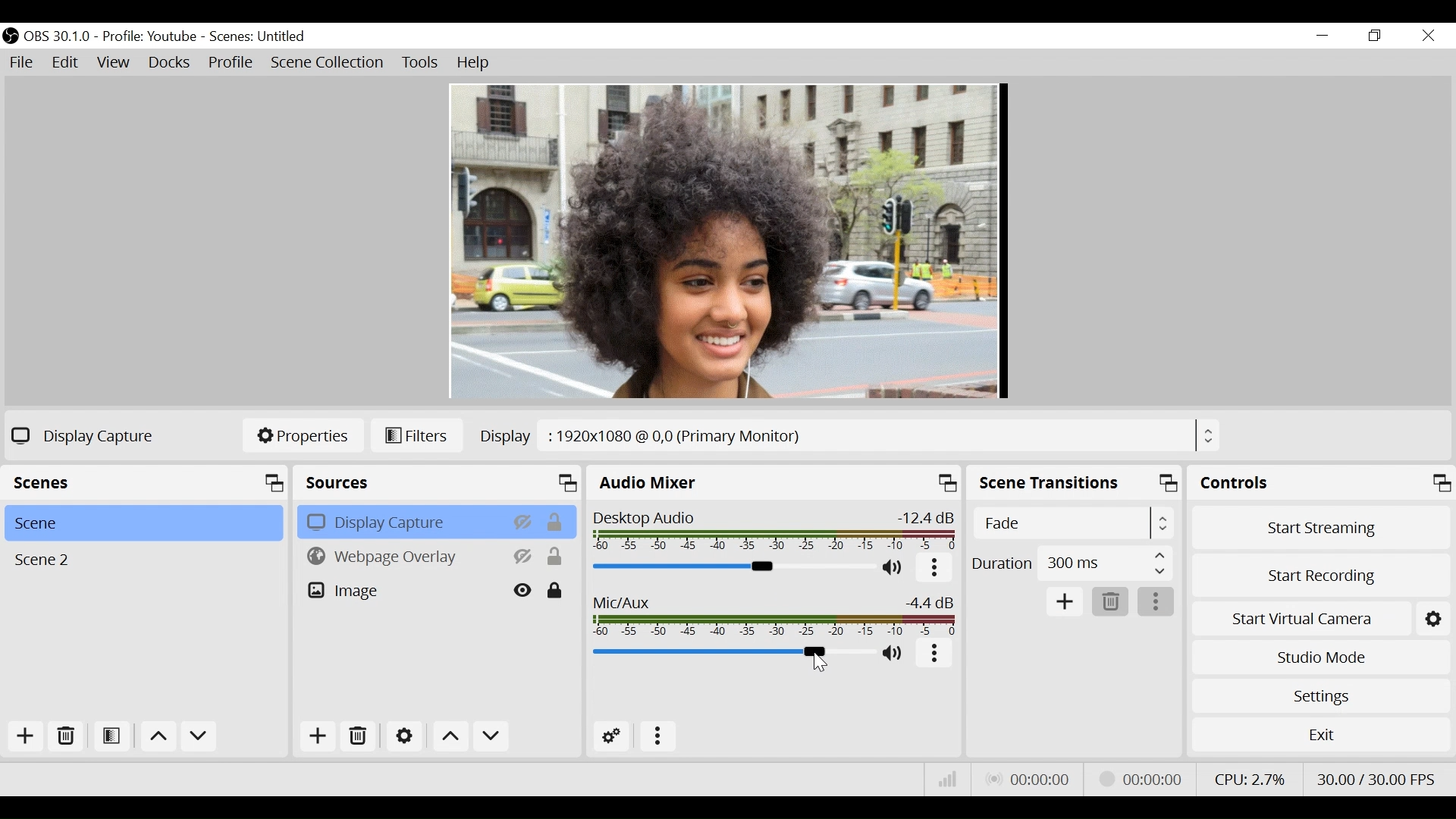  Describe the element at coordinates (416, 436) in the screenshot. I see `Filters` at that location.